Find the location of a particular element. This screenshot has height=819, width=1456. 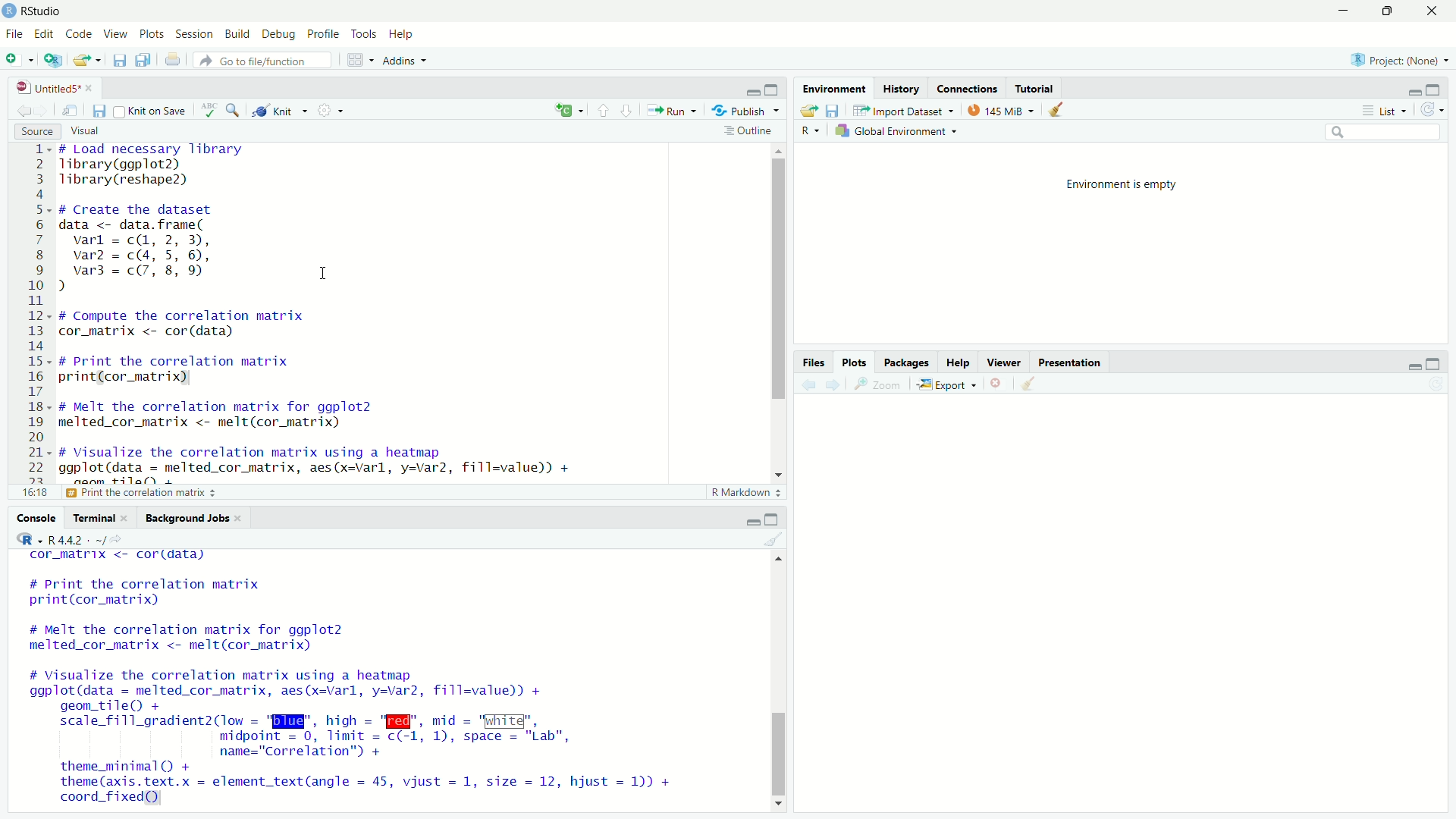

tools is located at coordinates (364, 35).